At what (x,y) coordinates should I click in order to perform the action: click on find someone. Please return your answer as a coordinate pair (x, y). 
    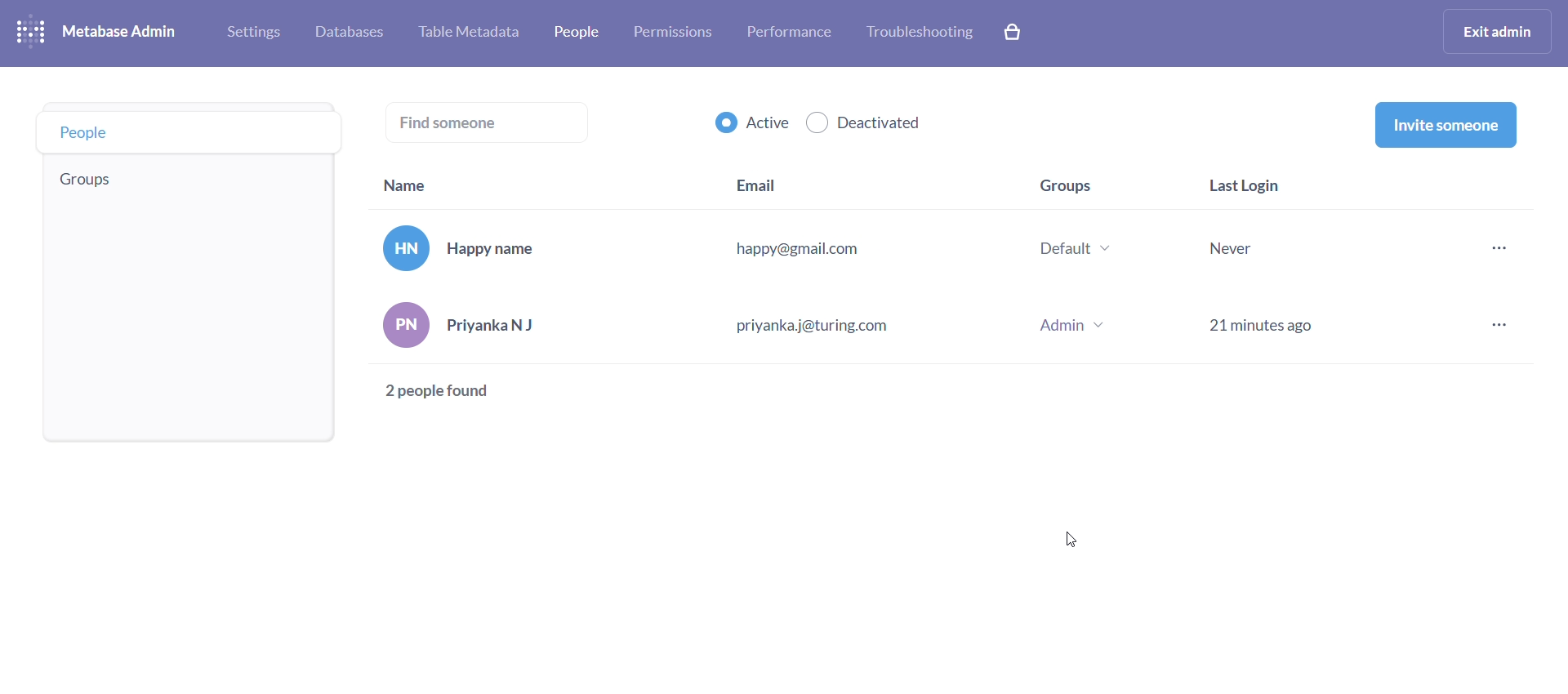
    Looking at the image, I should click on (490, 122).